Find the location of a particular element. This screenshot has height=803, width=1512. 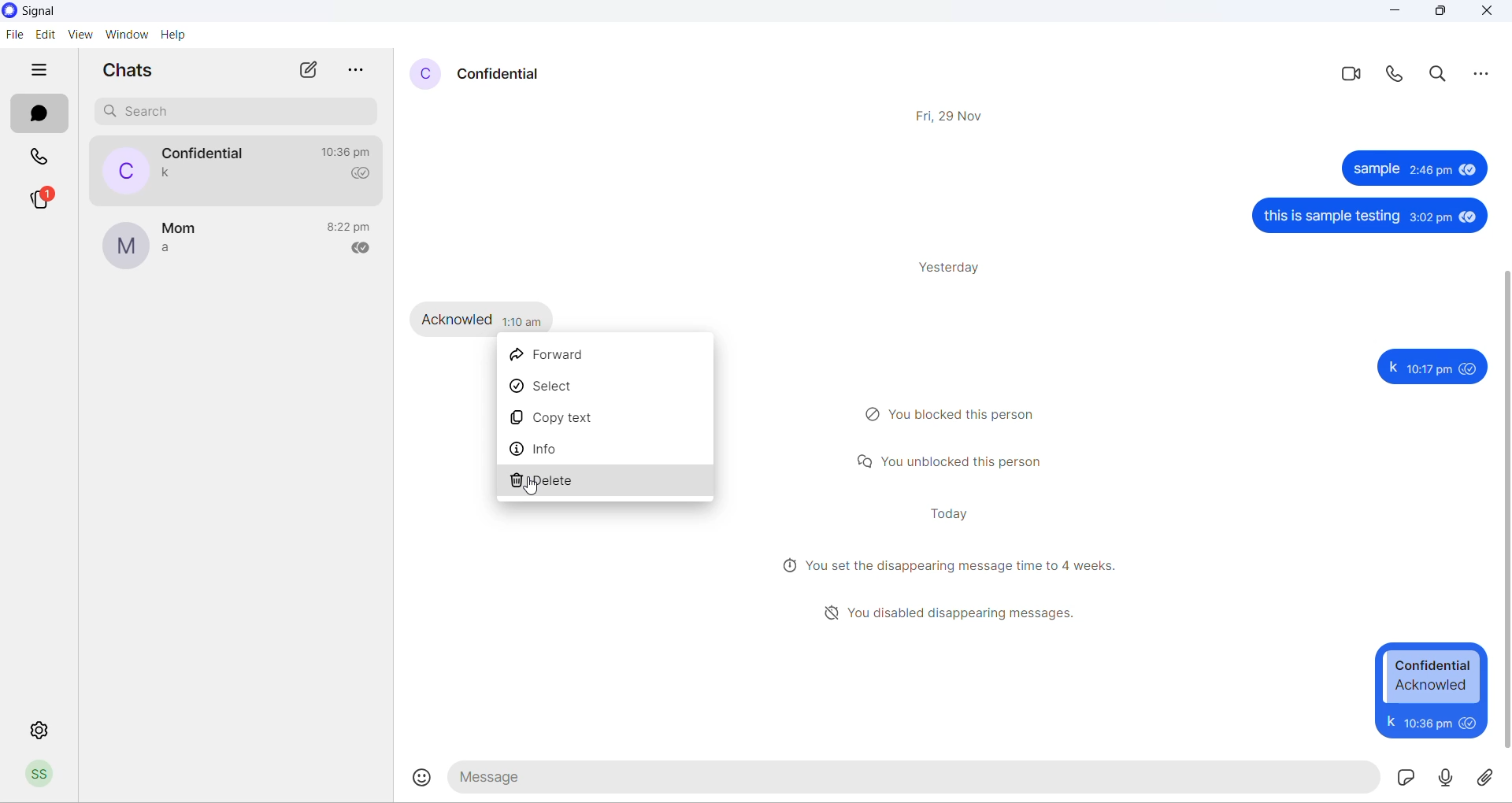

last message time is located at coordinates (352, 225).